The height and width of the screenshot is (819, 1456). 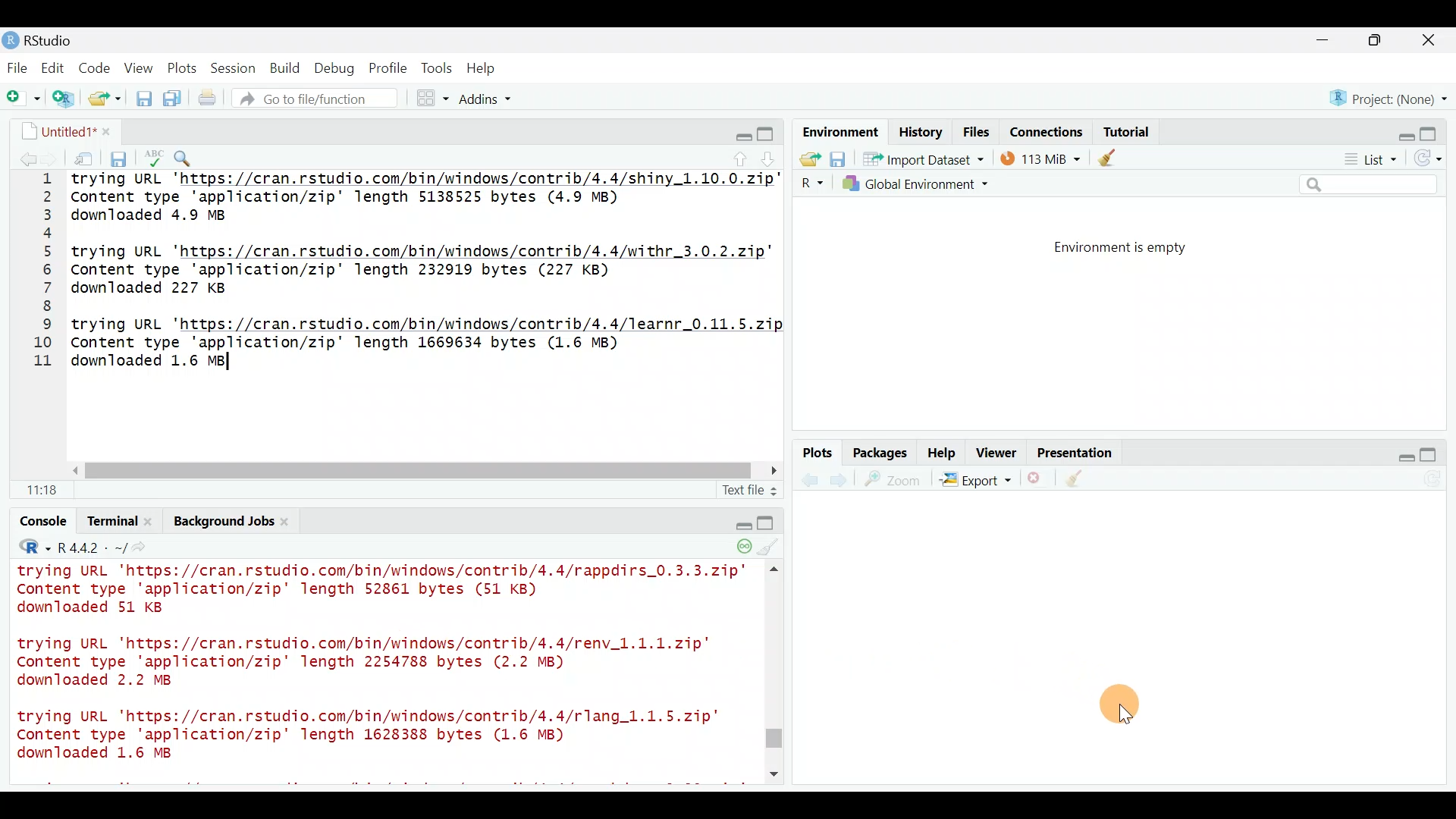 What do you see at coordinates (121, 157) in the screenshot?
I see `save current document` at bounding box center [121, 157].